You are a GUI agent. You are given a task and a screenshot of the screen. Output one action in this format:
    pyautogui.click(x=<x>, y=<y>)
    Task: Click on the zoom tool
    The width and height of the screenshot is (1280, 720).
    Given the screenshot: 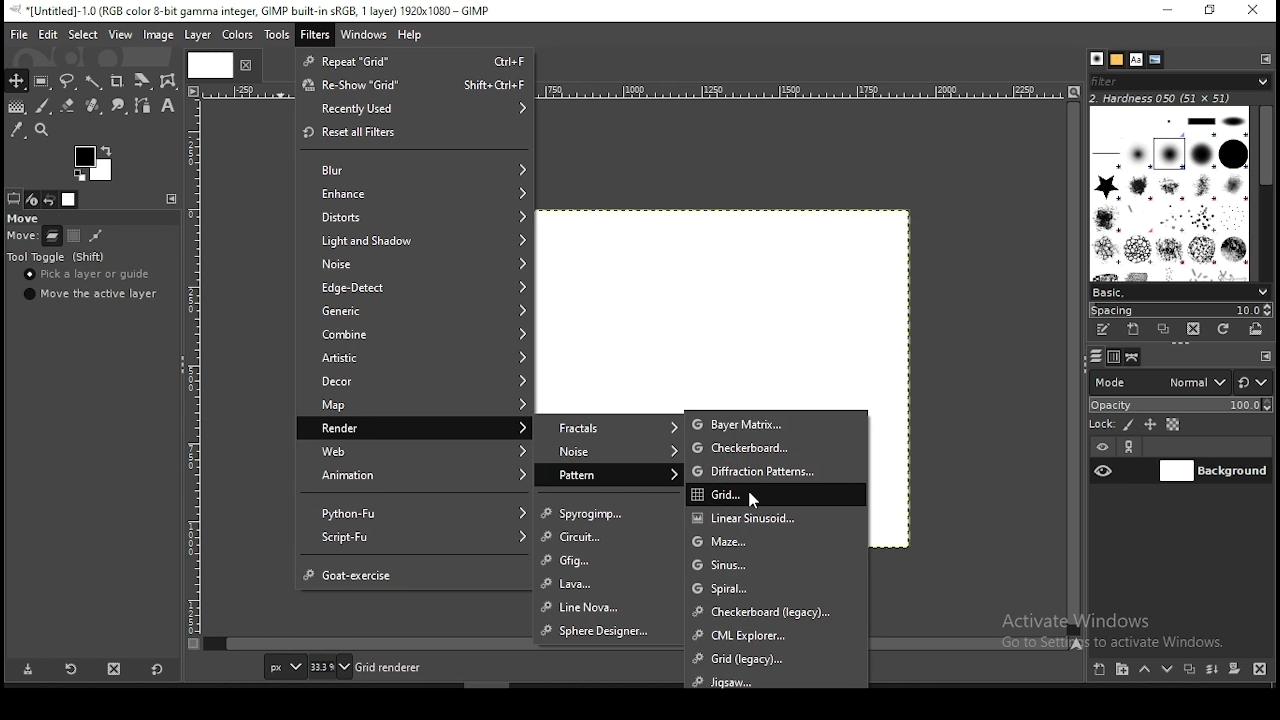 What is the action you would take?
    pyautogui.click(x=48, y=130)
    